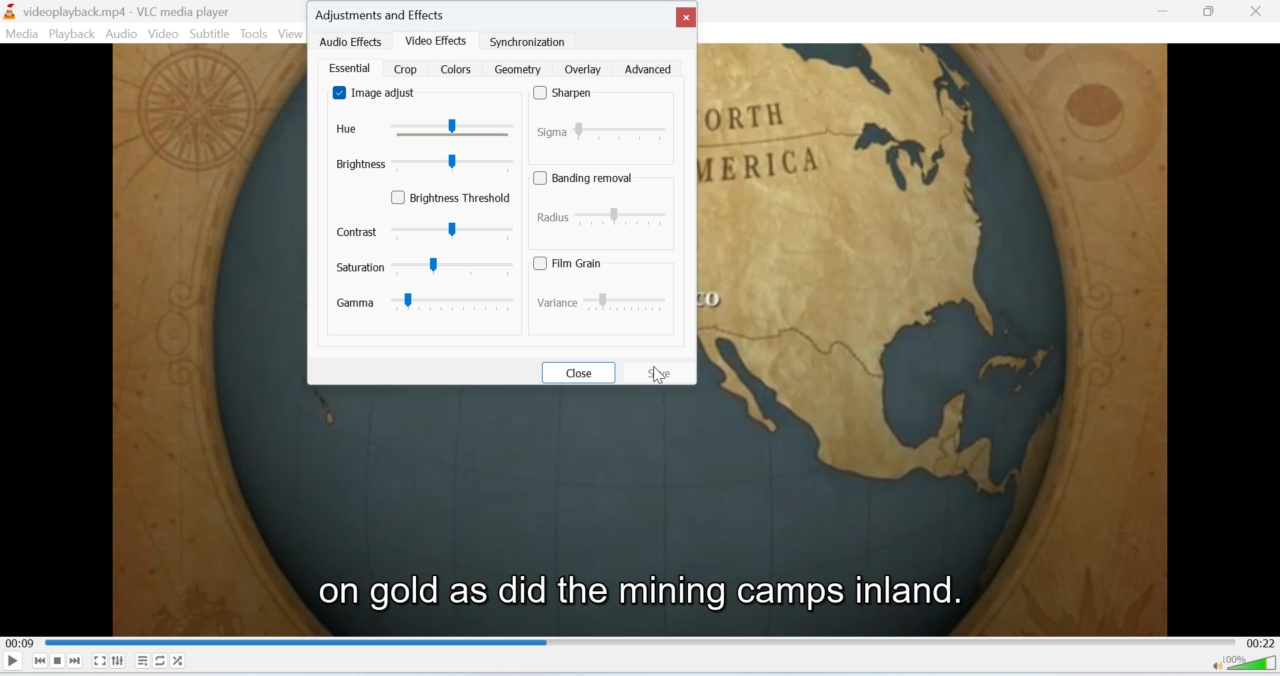 The width and height of the screenshot is (1280, 676). I want to click on Loop, so click(161, 660).